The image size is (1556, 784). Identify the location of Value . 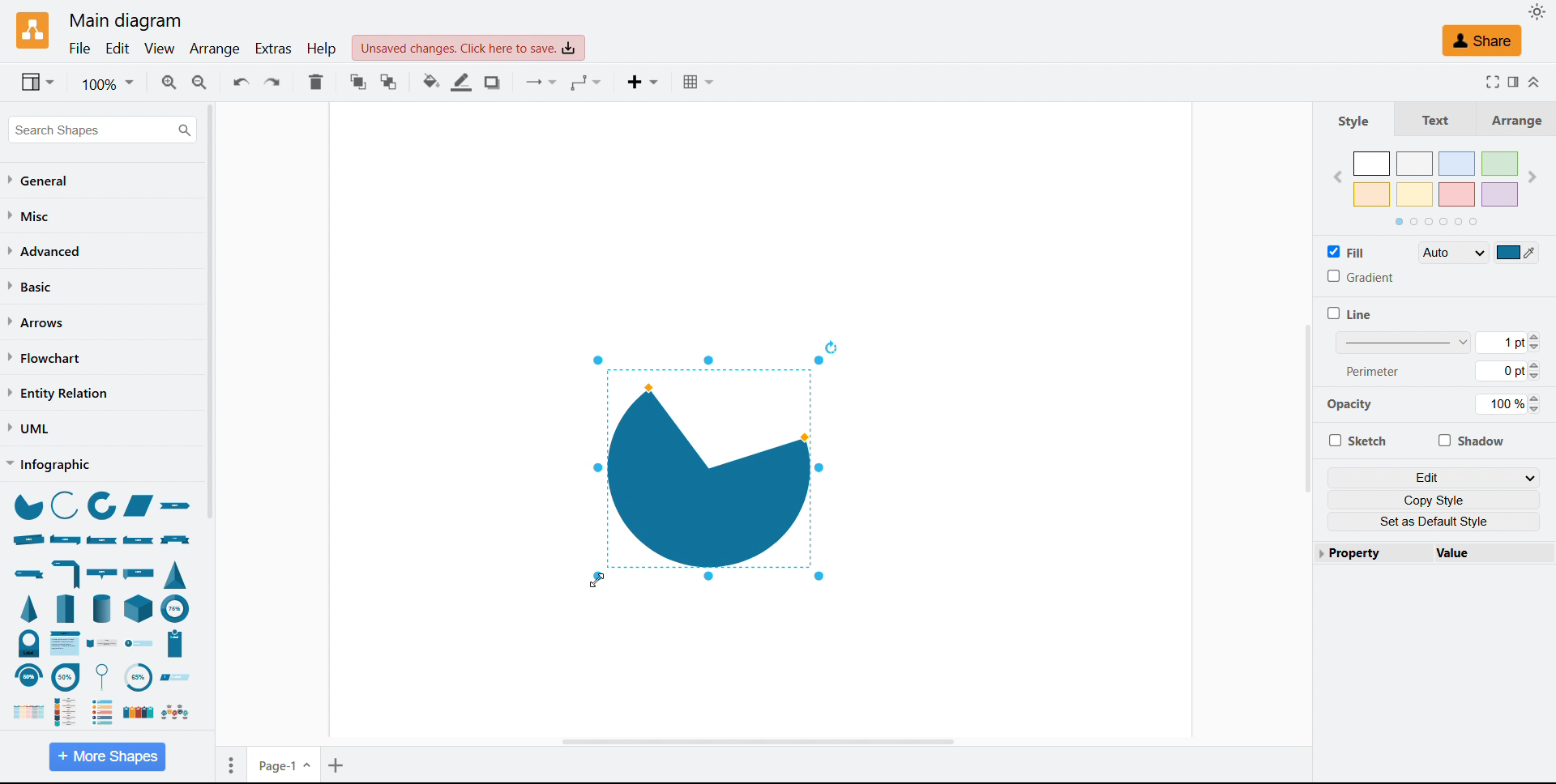
(1486, 552).